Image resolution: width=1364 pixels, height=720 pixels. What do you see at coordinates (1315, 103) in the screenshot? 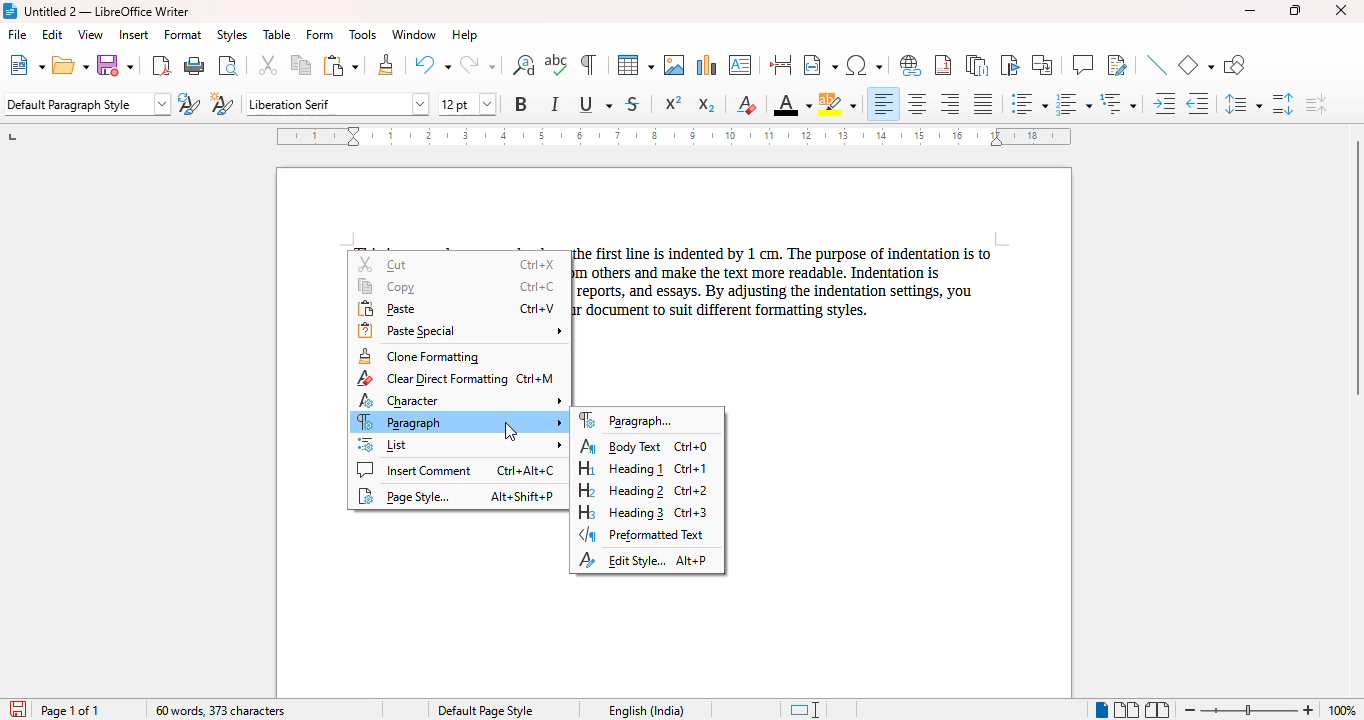
I see `decrease paragraph spacing` at bounding box center [1315, 103].